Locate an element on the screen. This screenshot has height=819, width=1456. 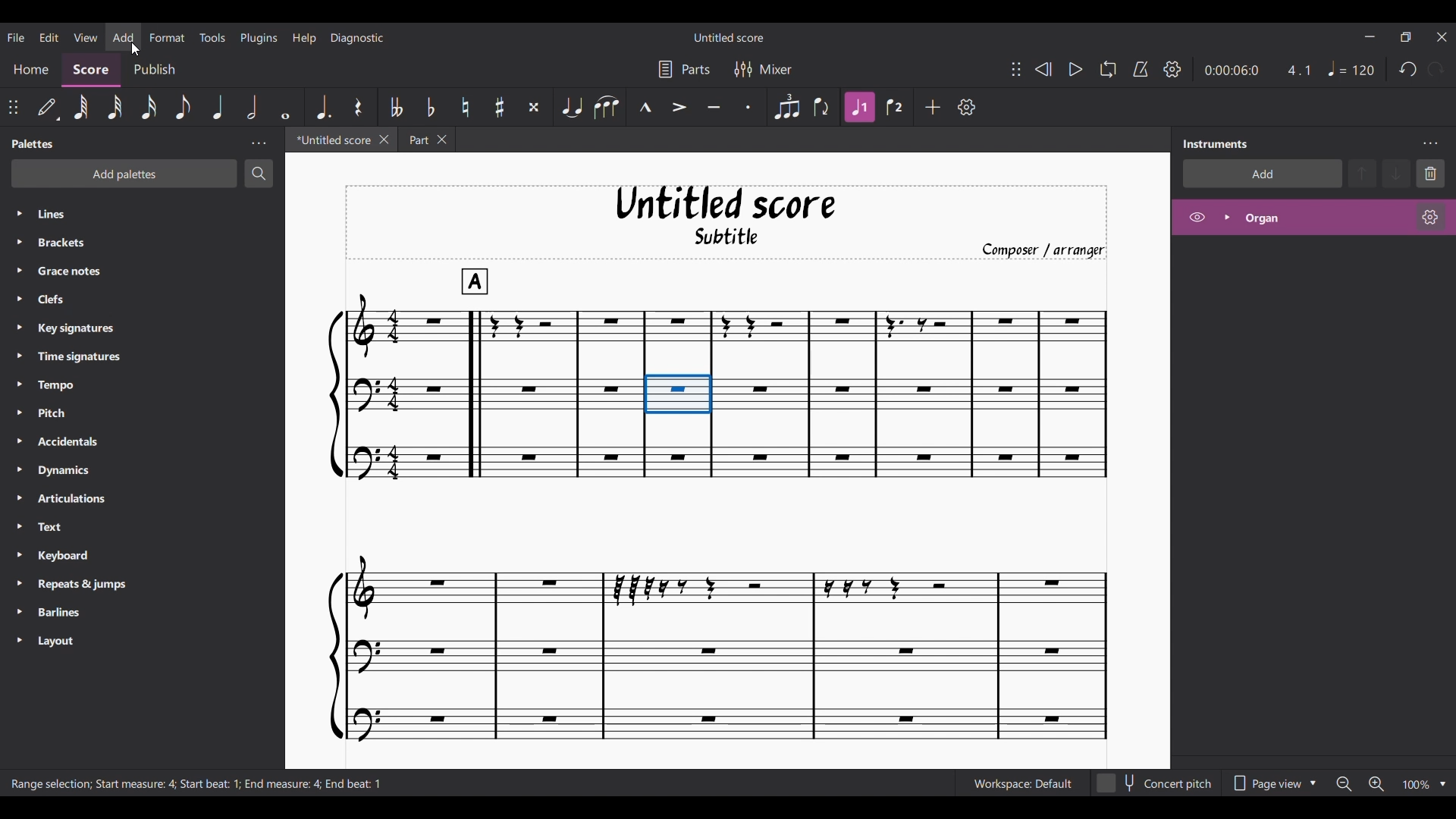
Metronome is located at coordinates (1140, 70).